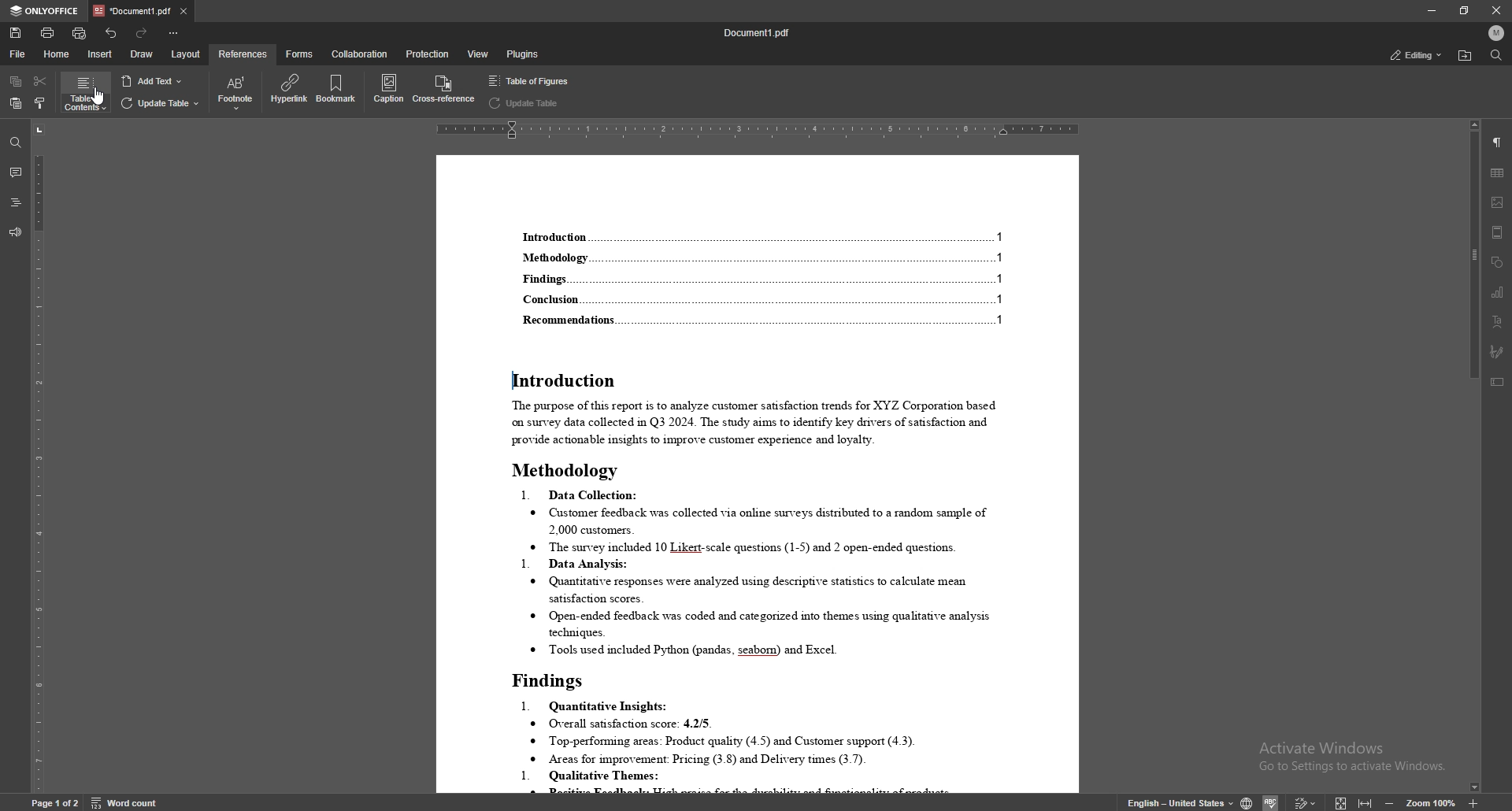 The width and height of the screenshot is (1512, 811). I want to click on cross reference, so click(443, 91).